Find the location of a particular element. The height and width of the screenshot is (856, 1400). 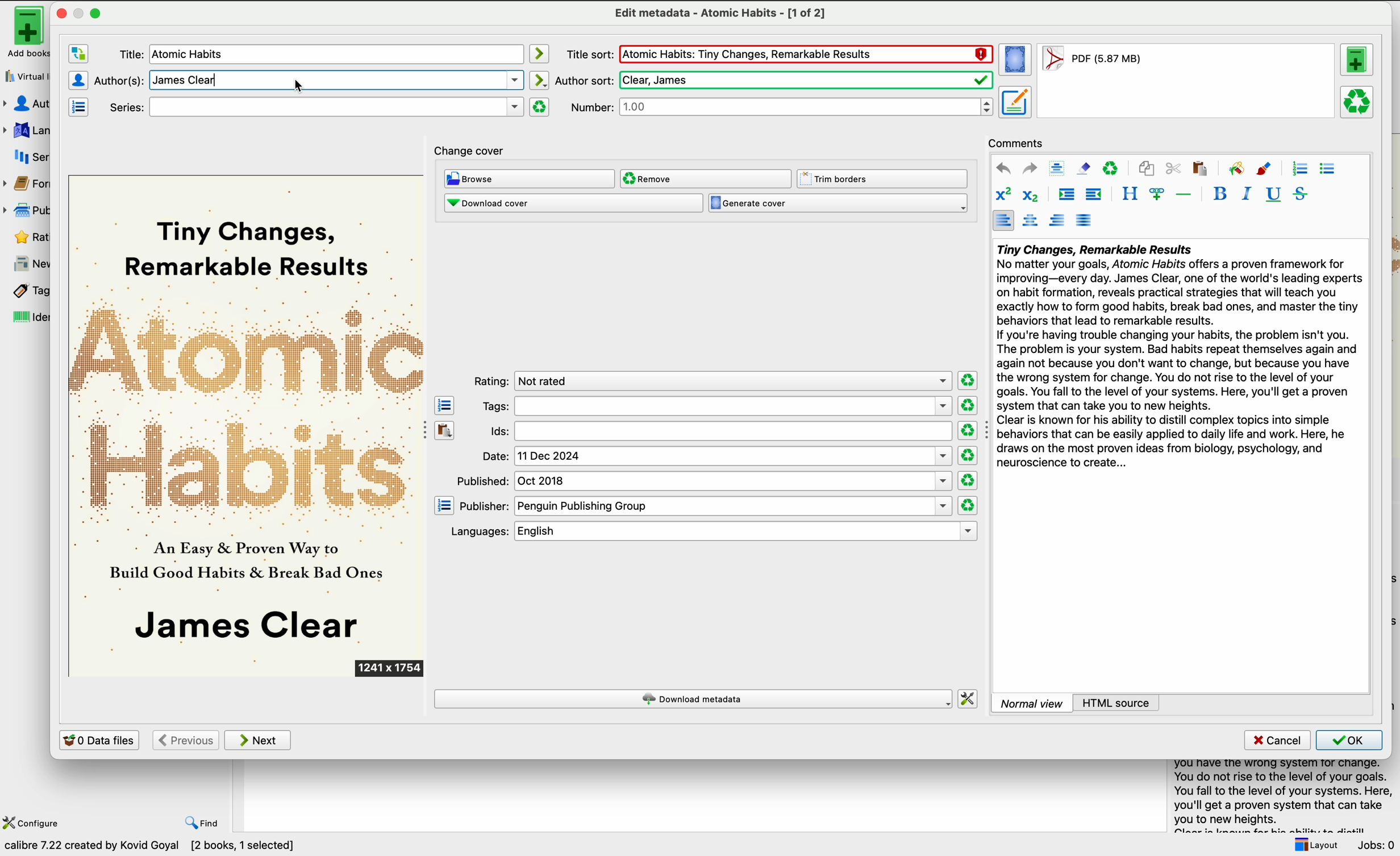

delete the text is located at coordinates (185, 79).